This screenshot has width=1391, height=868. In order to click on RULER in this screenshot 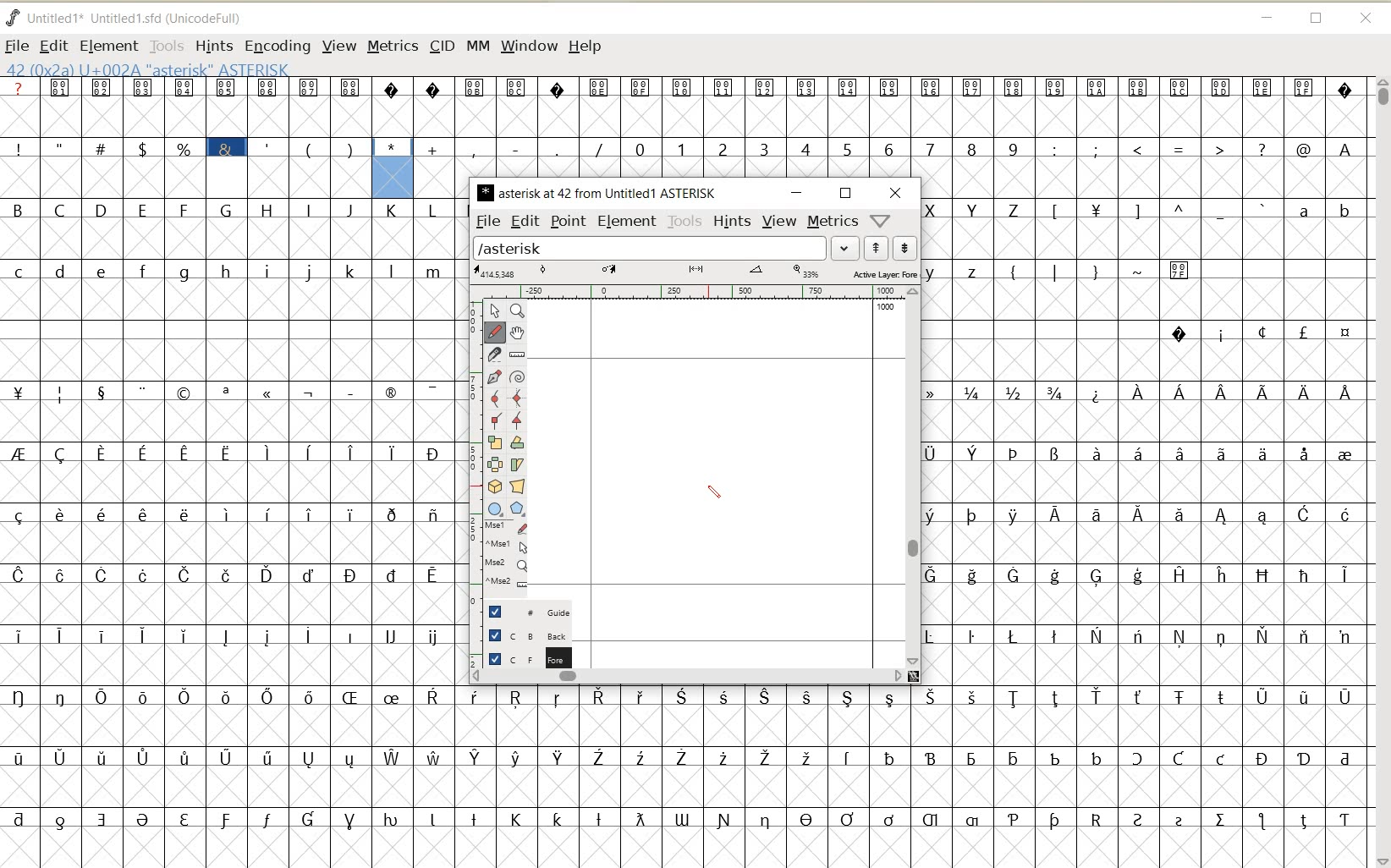, I will do `click(688, 291)`.